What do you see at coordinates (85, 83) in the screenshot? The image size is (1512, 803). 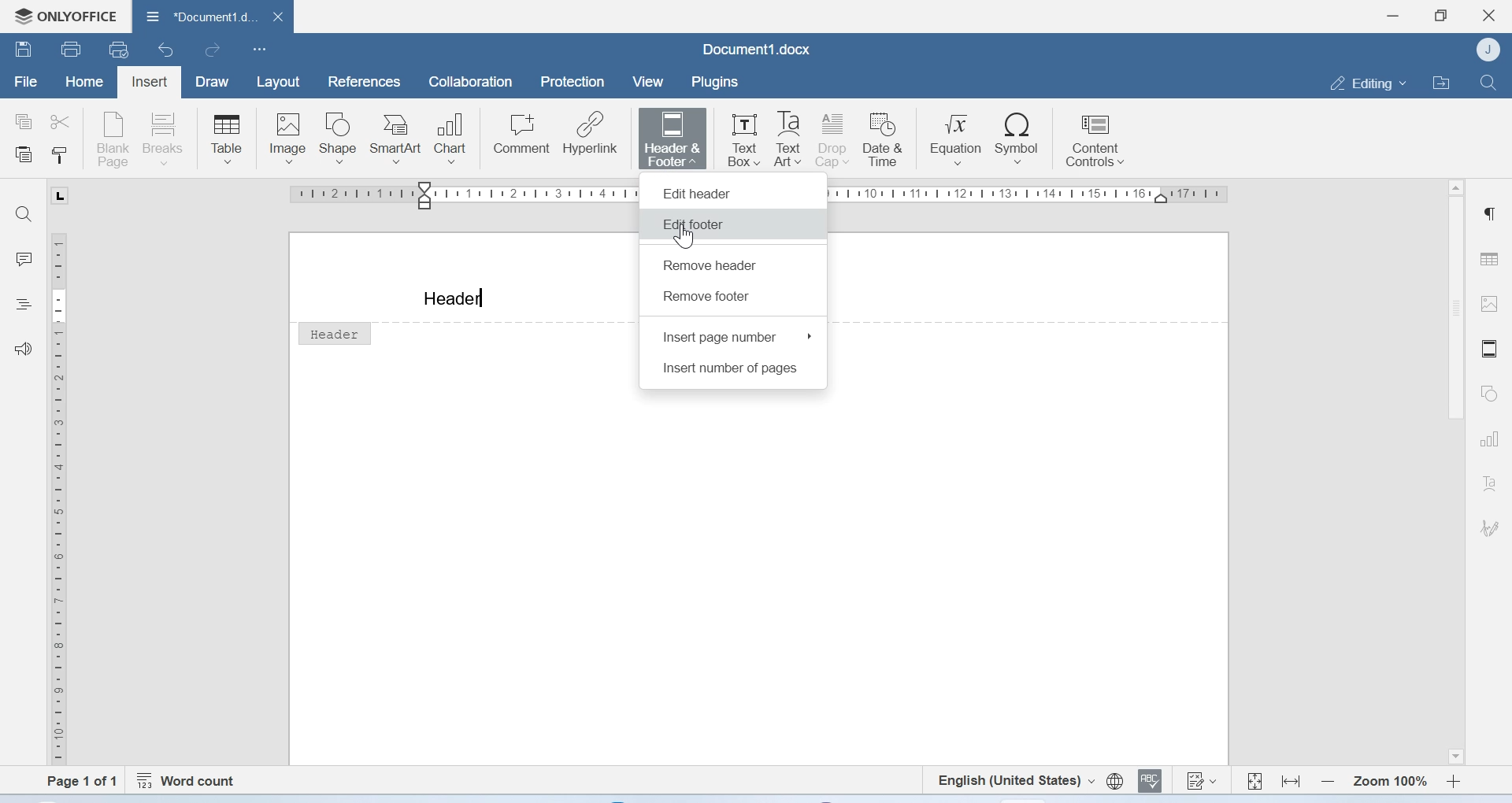 I see `Home` at bounding box center [85, 83].